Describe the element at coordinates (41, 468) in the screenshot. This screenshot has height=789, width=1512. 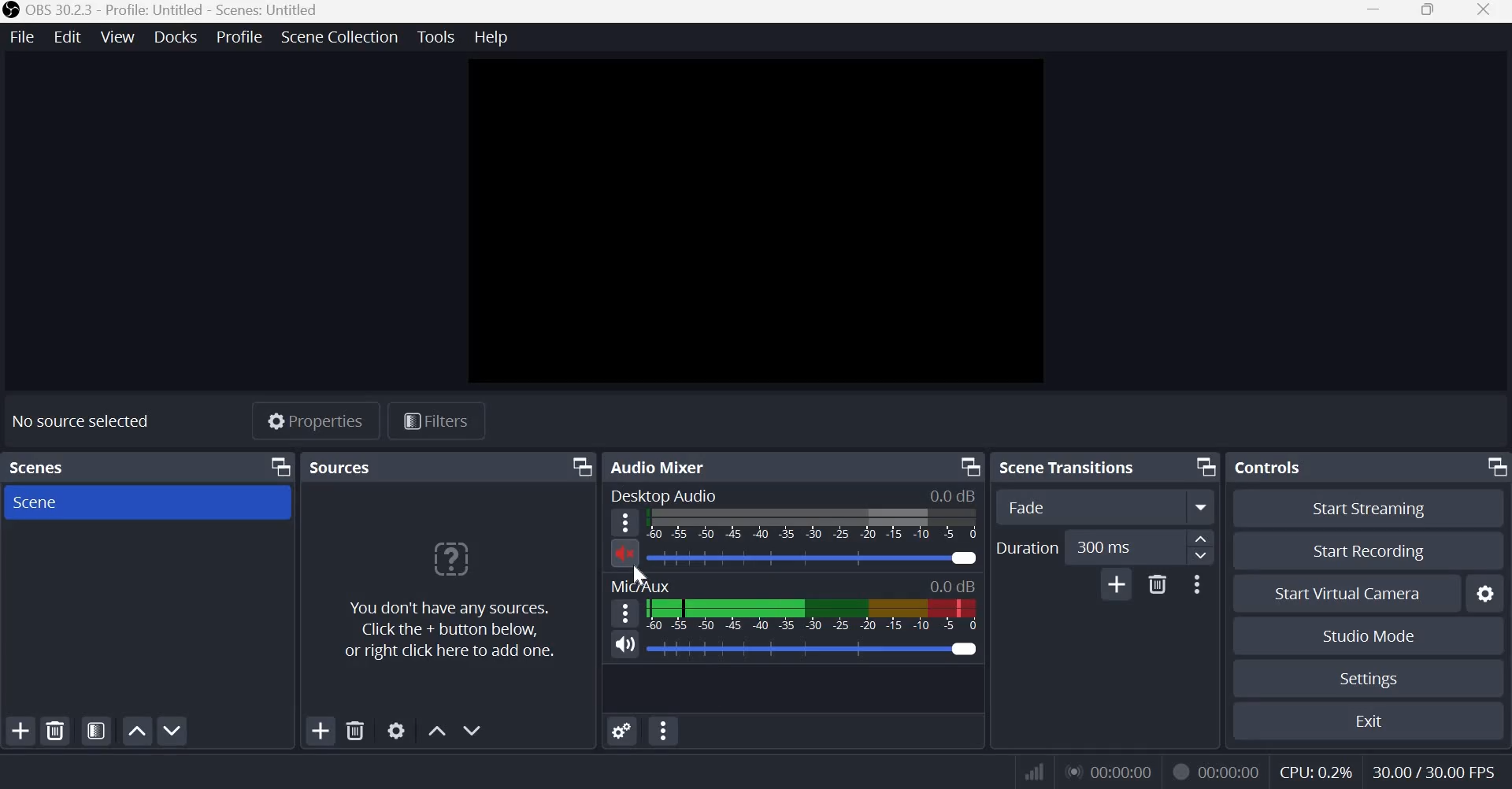
I see `Scenes` at that location.